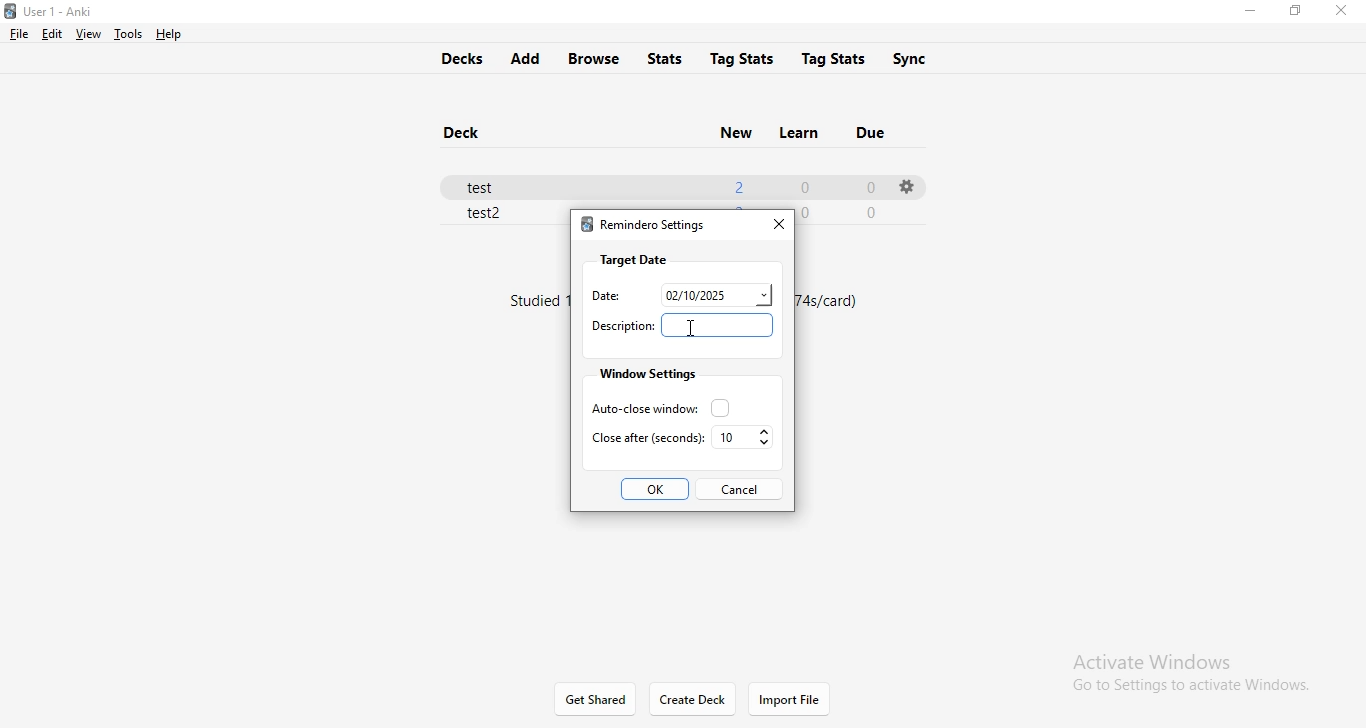 The image size is (1366, 728). I want to click on cleared box, so click(720, 325).